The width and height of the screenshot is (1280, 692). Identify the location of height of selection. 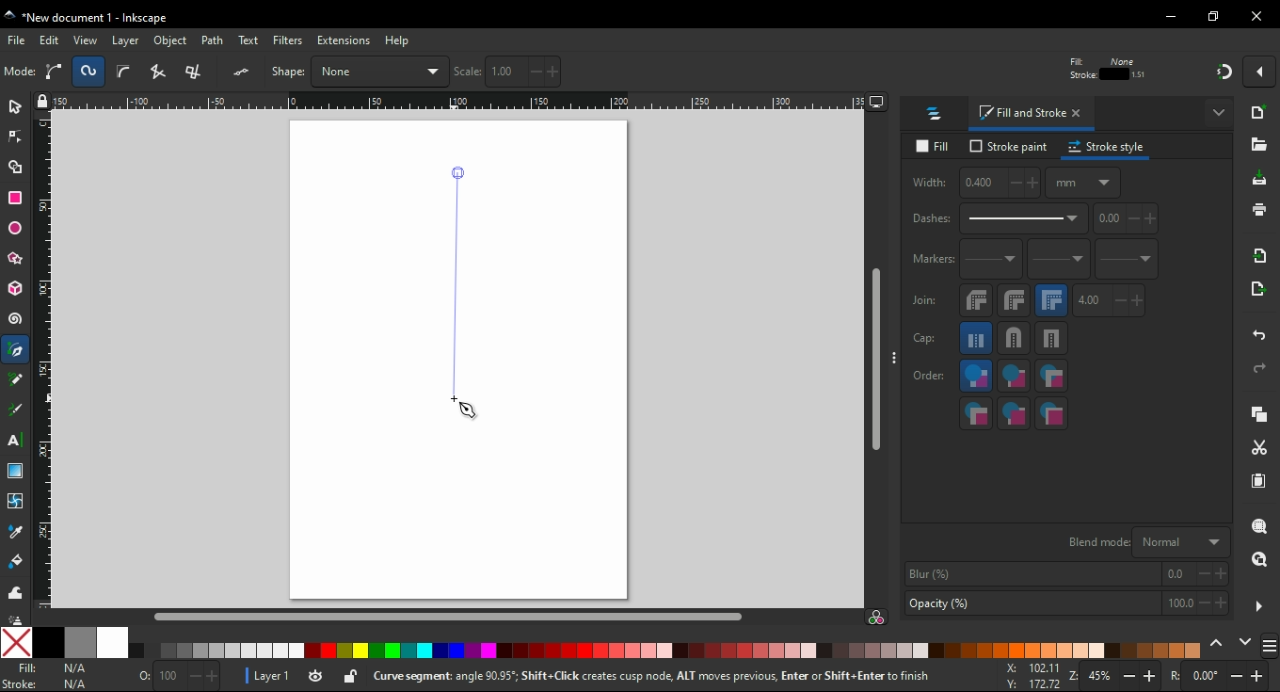
(920, 71).